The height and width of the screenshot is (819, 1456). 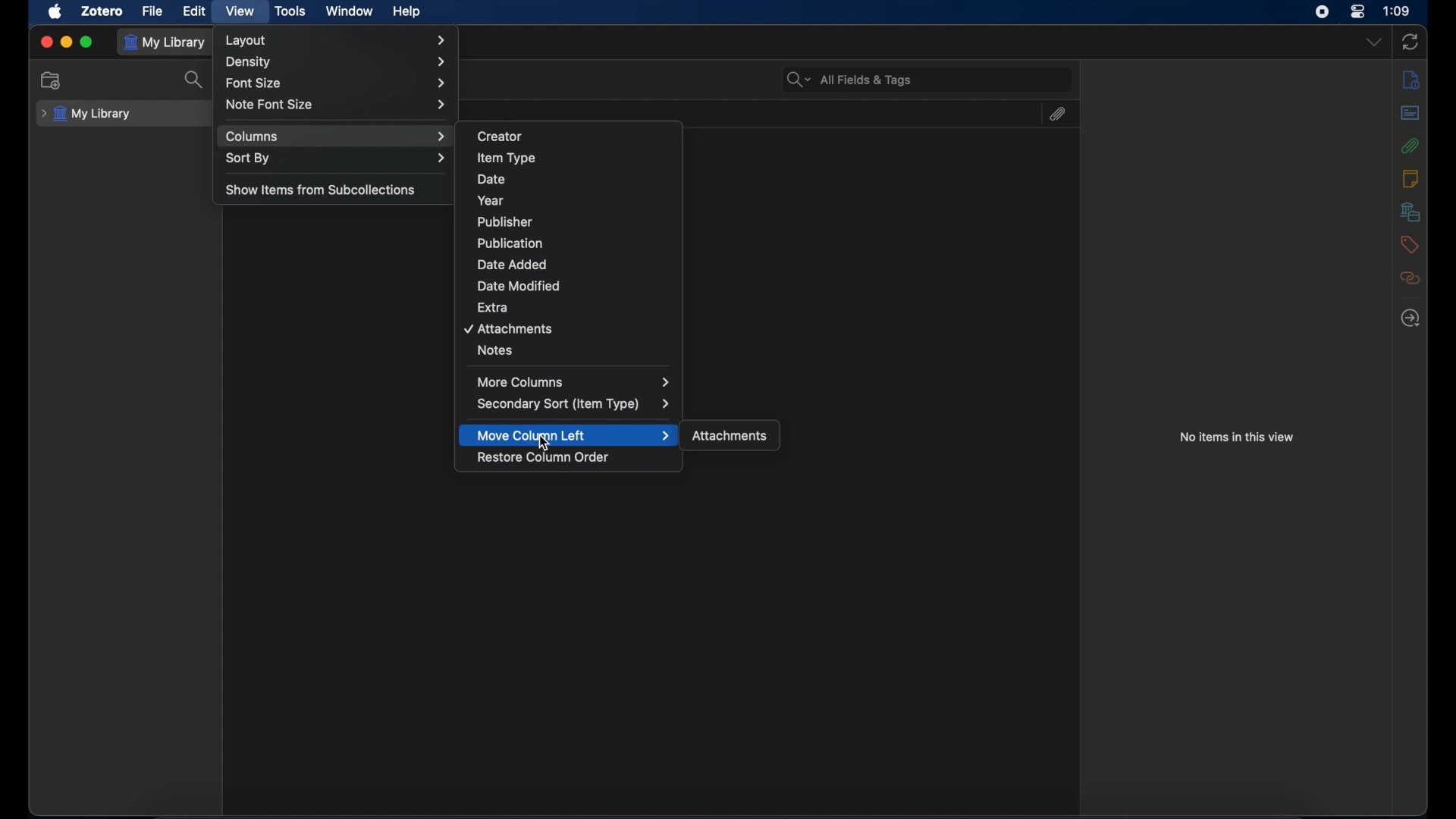 What do you see at coordinates (574, 381) in the screenshot?
I see `more columns` at bounding box center [574, 381].